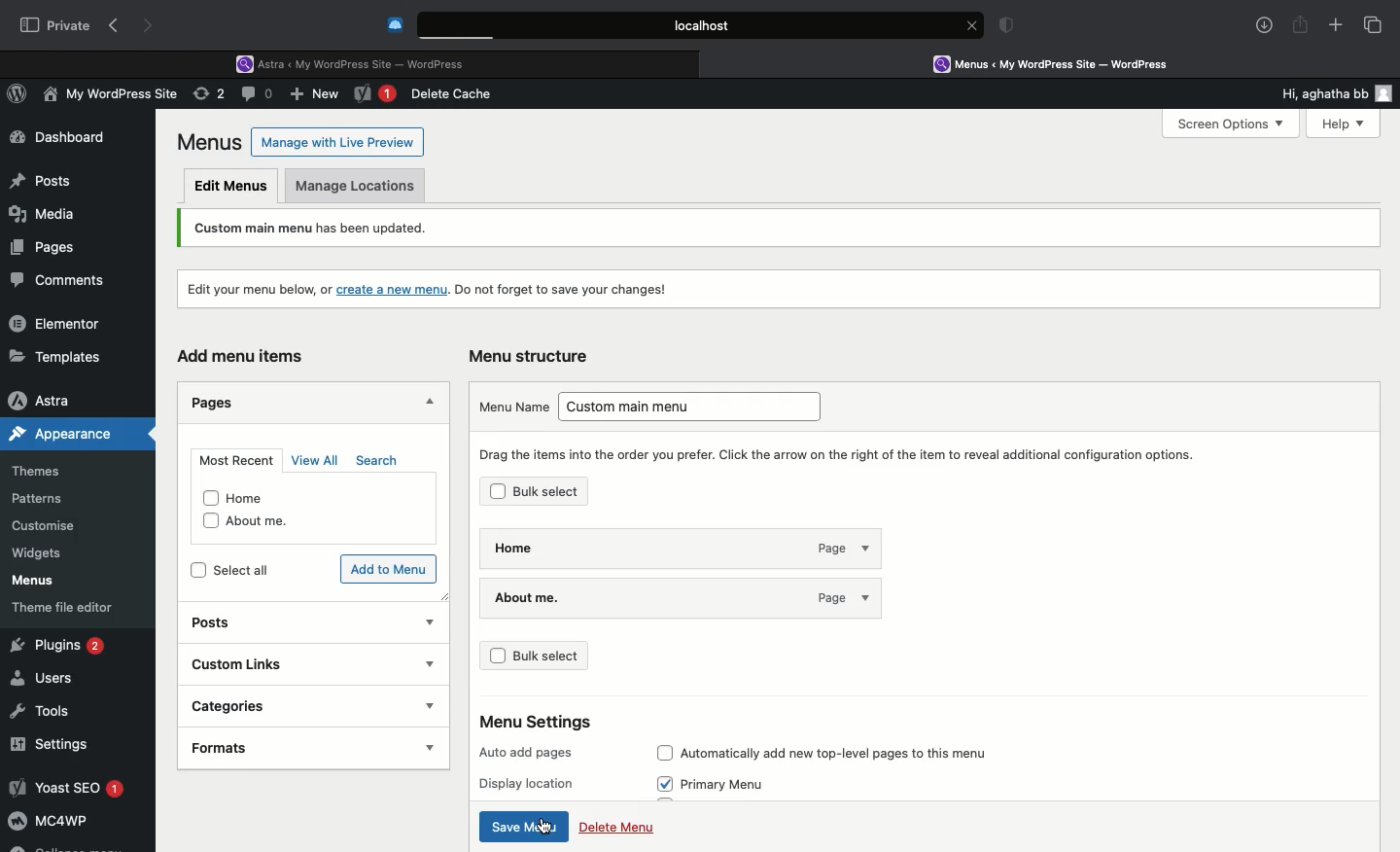 The image size is (1400, 852). I want to click on Posts, so click(215, 625).